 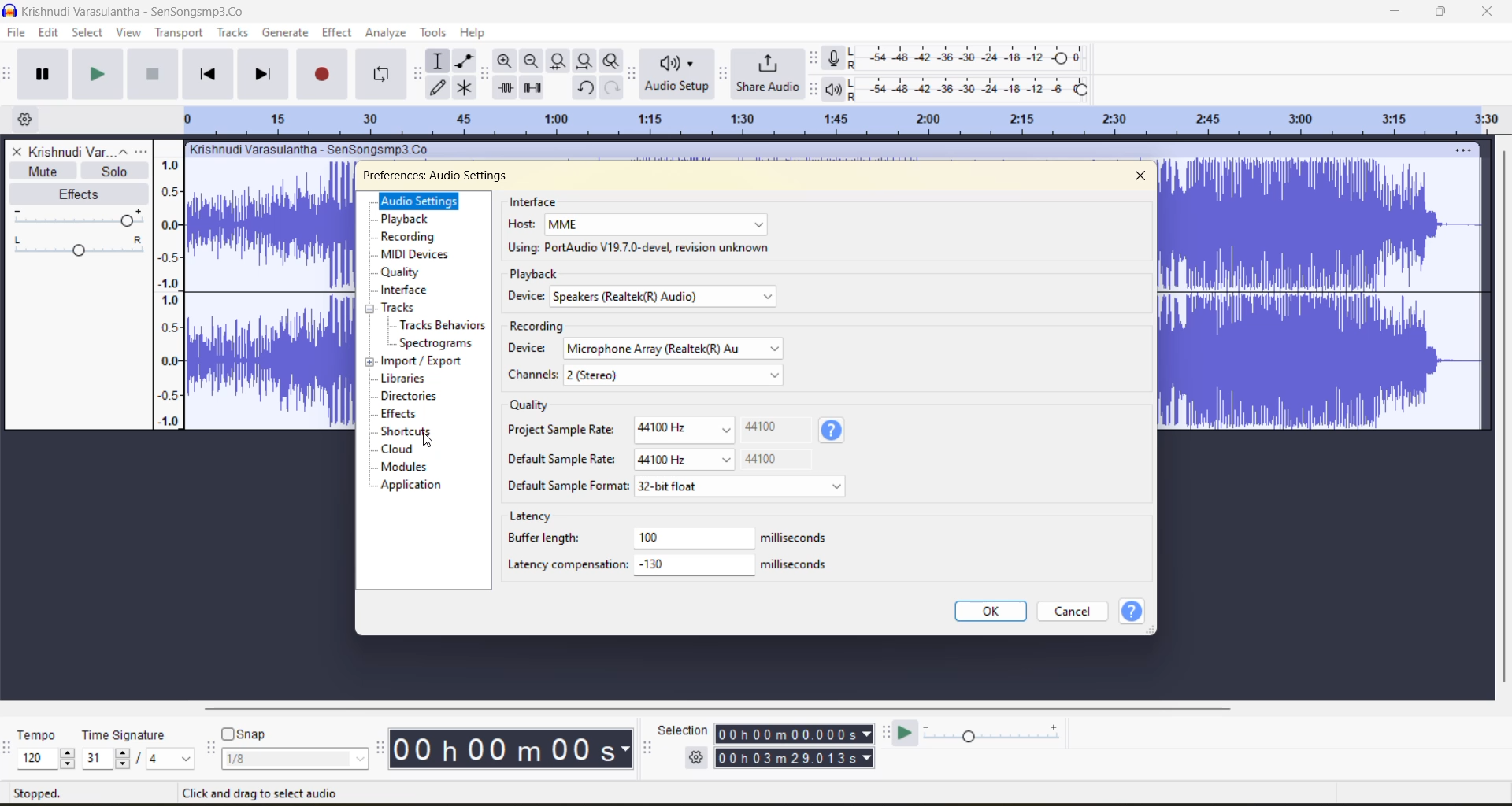 I want to click on Using: PortAudio v19.7.7-devel, revision unknown, so click(x=639, y=248).